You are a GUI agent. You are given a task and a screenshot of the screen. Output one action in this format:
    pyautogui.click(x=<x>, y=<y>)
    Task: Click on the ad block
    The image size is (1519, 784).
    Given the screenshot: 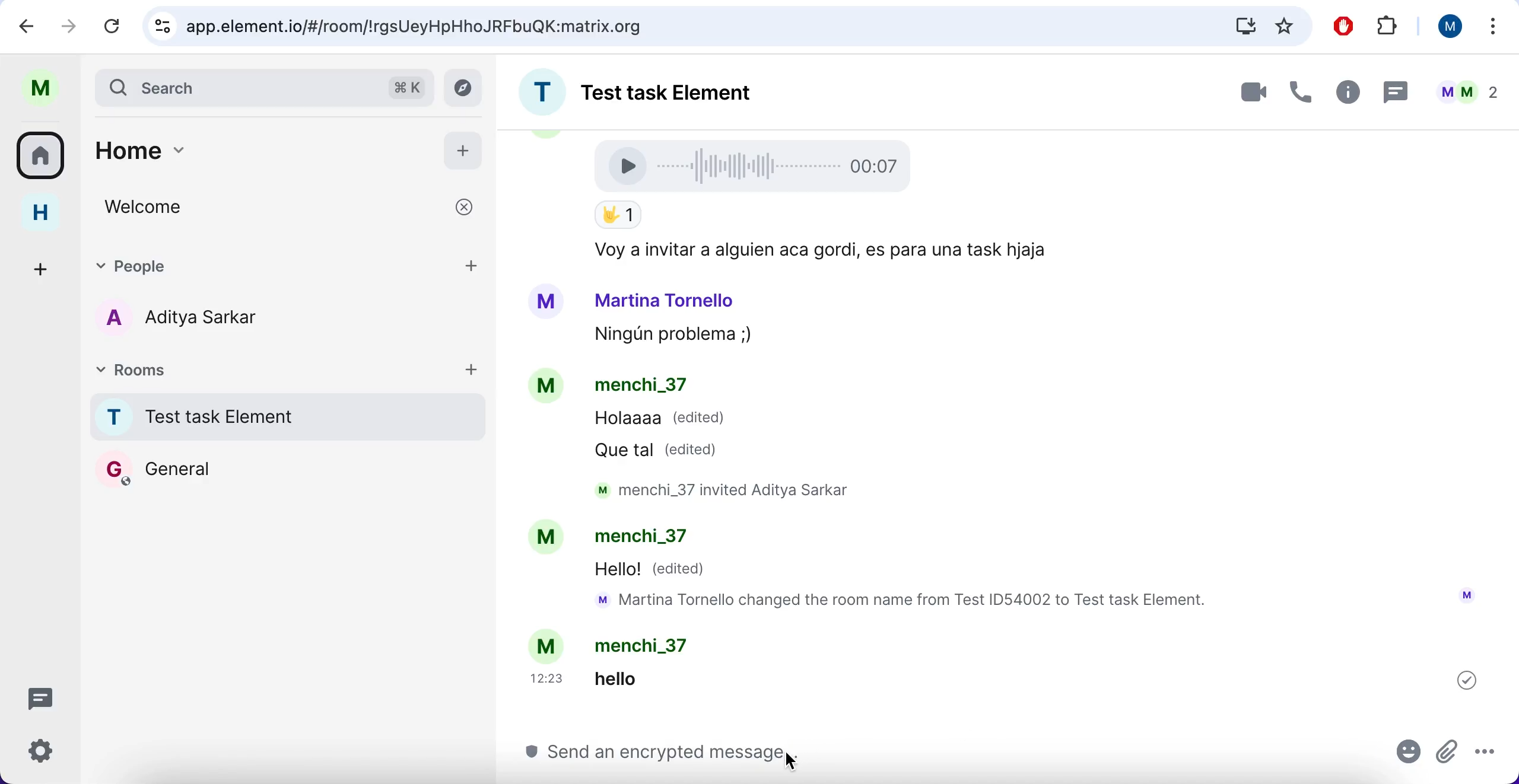 What is the action you would take?
    pyautogui.click(x=1346, y=27)
    